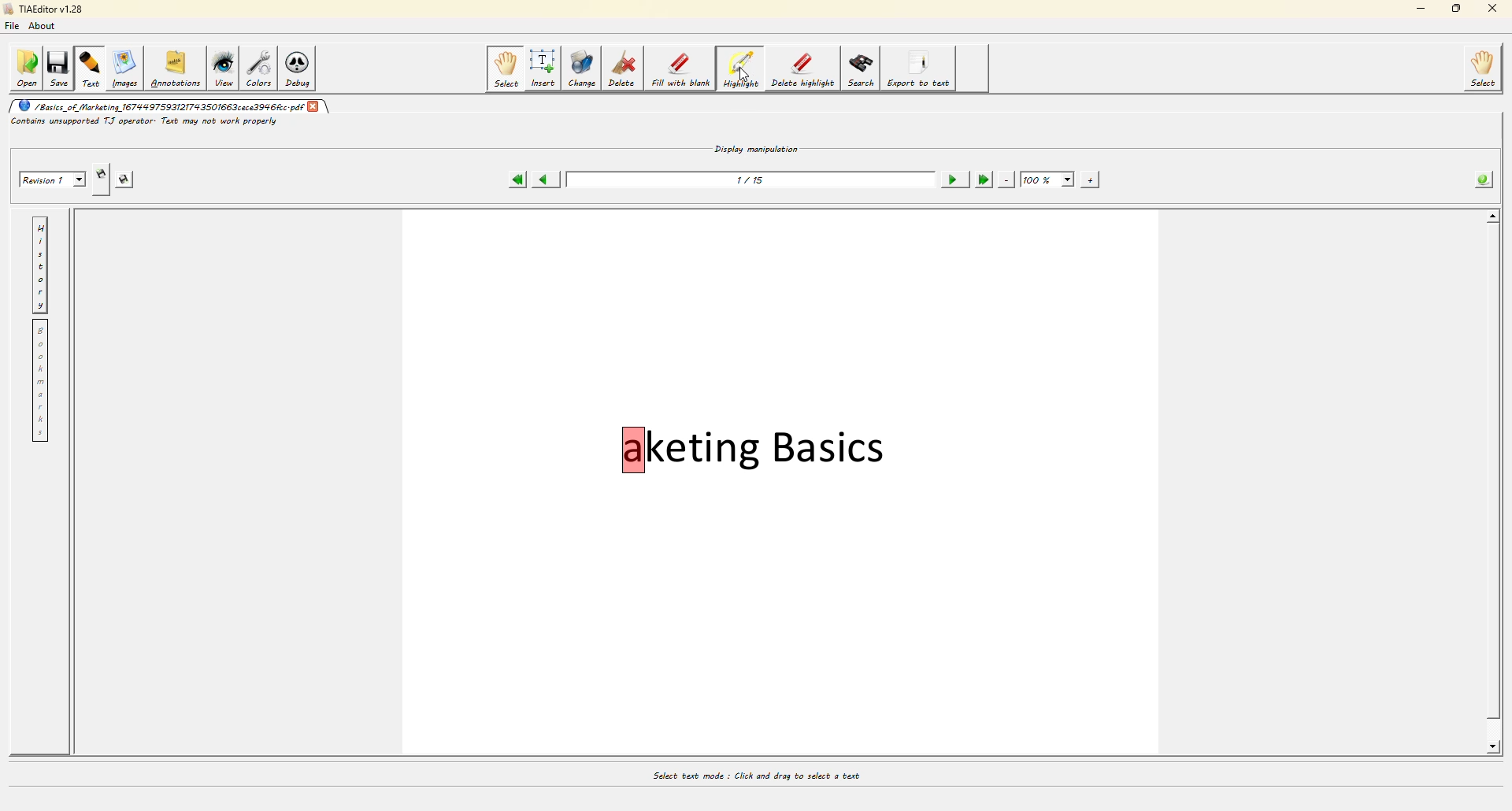 The height and width of the screenshot is (811, 1512). Describe the element at coordinates (951, 179) in the screenshot. I see `next page` at that location.